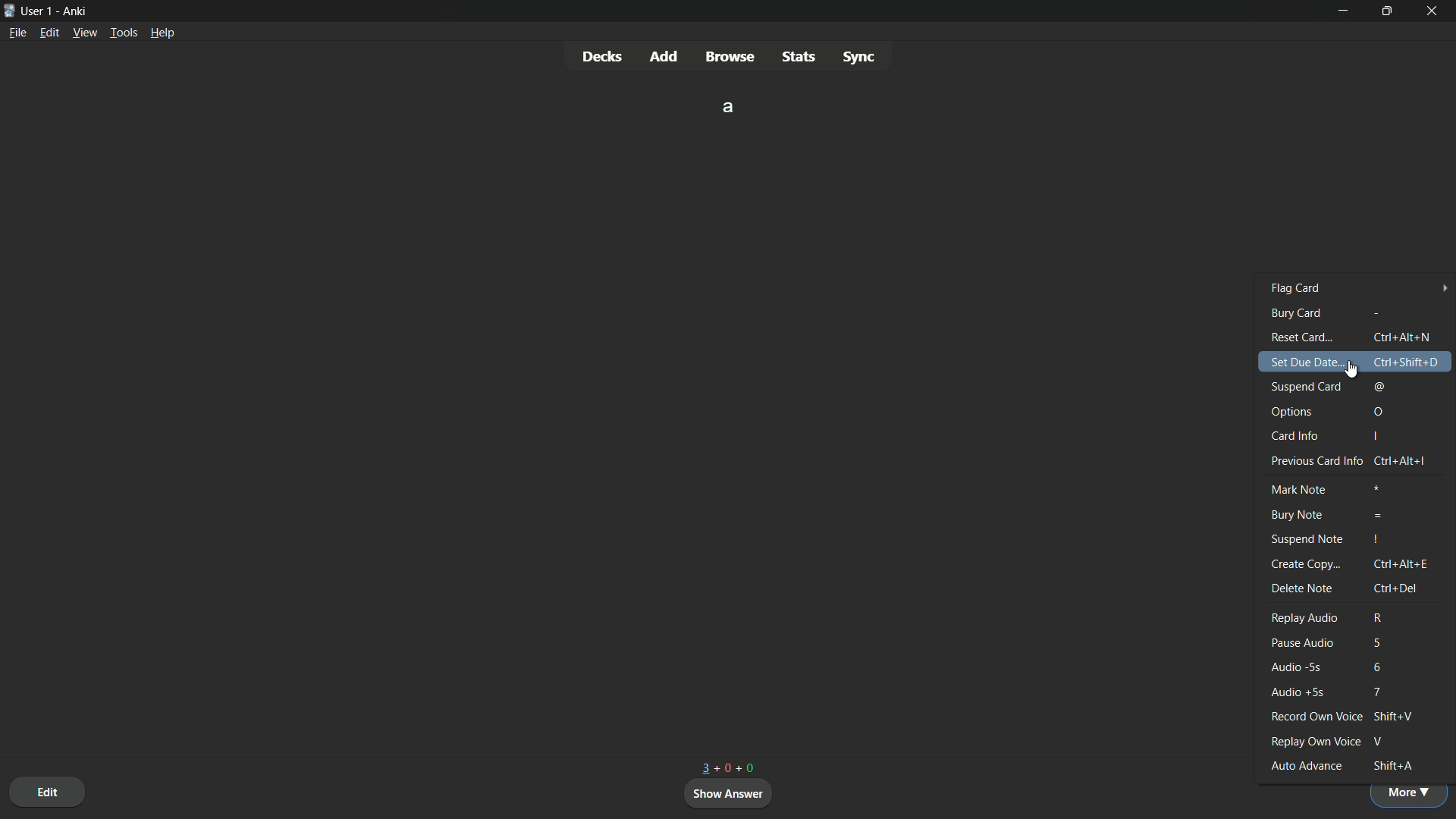 The image size is (1456, 819). I want to click on card info, so click(1296, 437).